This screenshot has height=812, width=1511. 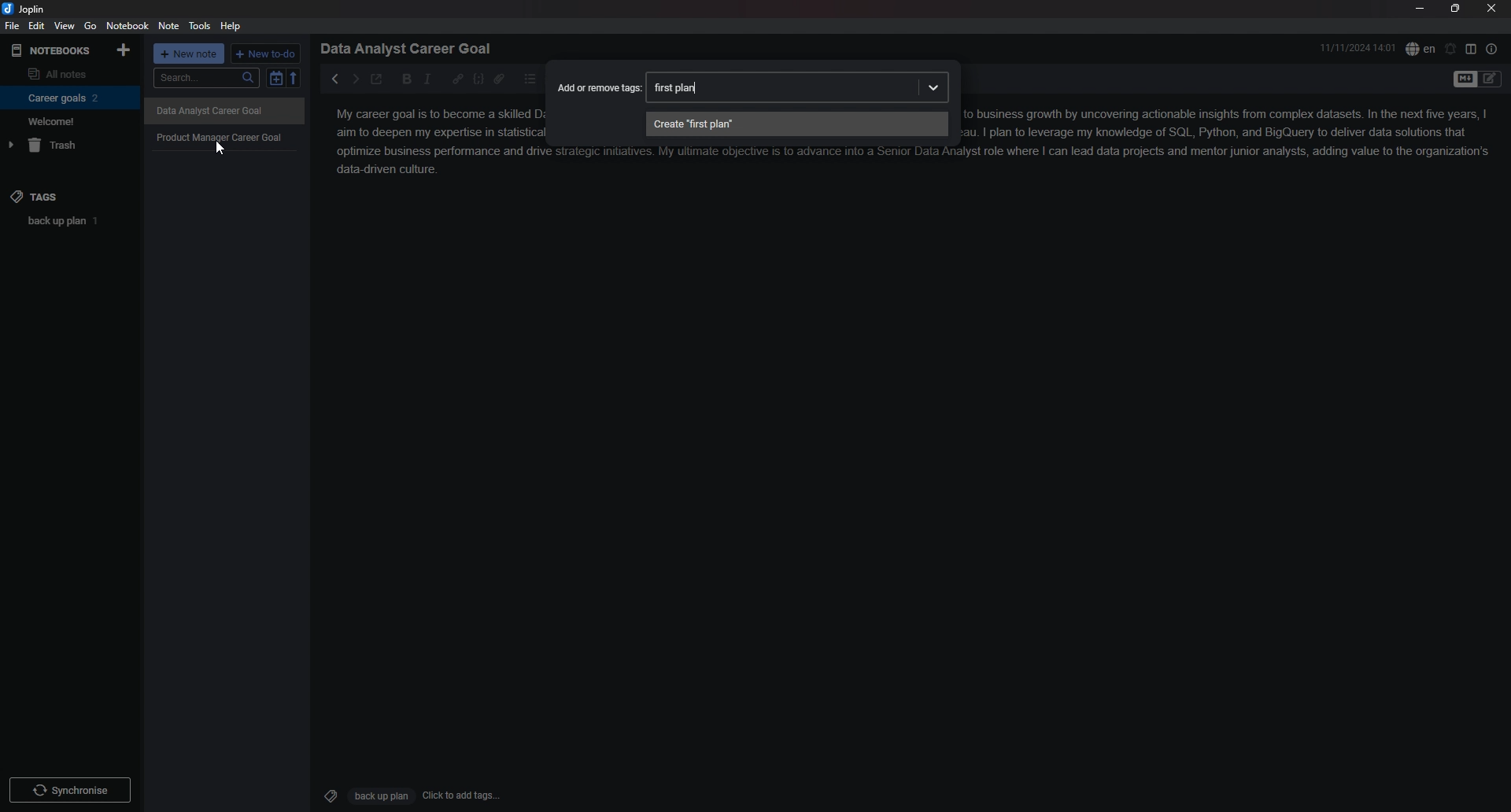 What do you see at coordinates (412, 48) in the screenshot?
I see `Data Analyst Career Goal` at bounding box center [412, 48].